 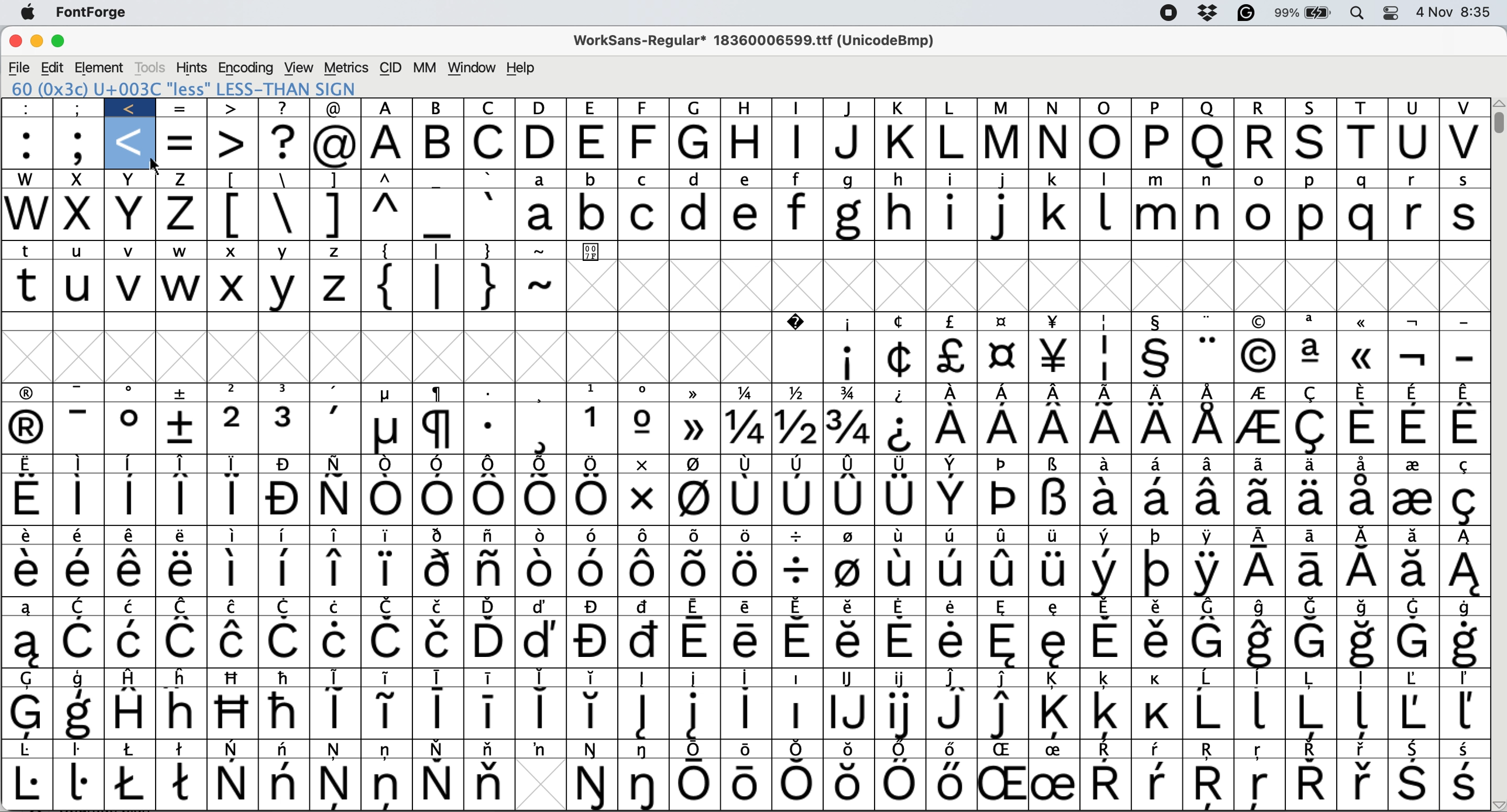 I want to click on q, so click(x=1209, y=142).